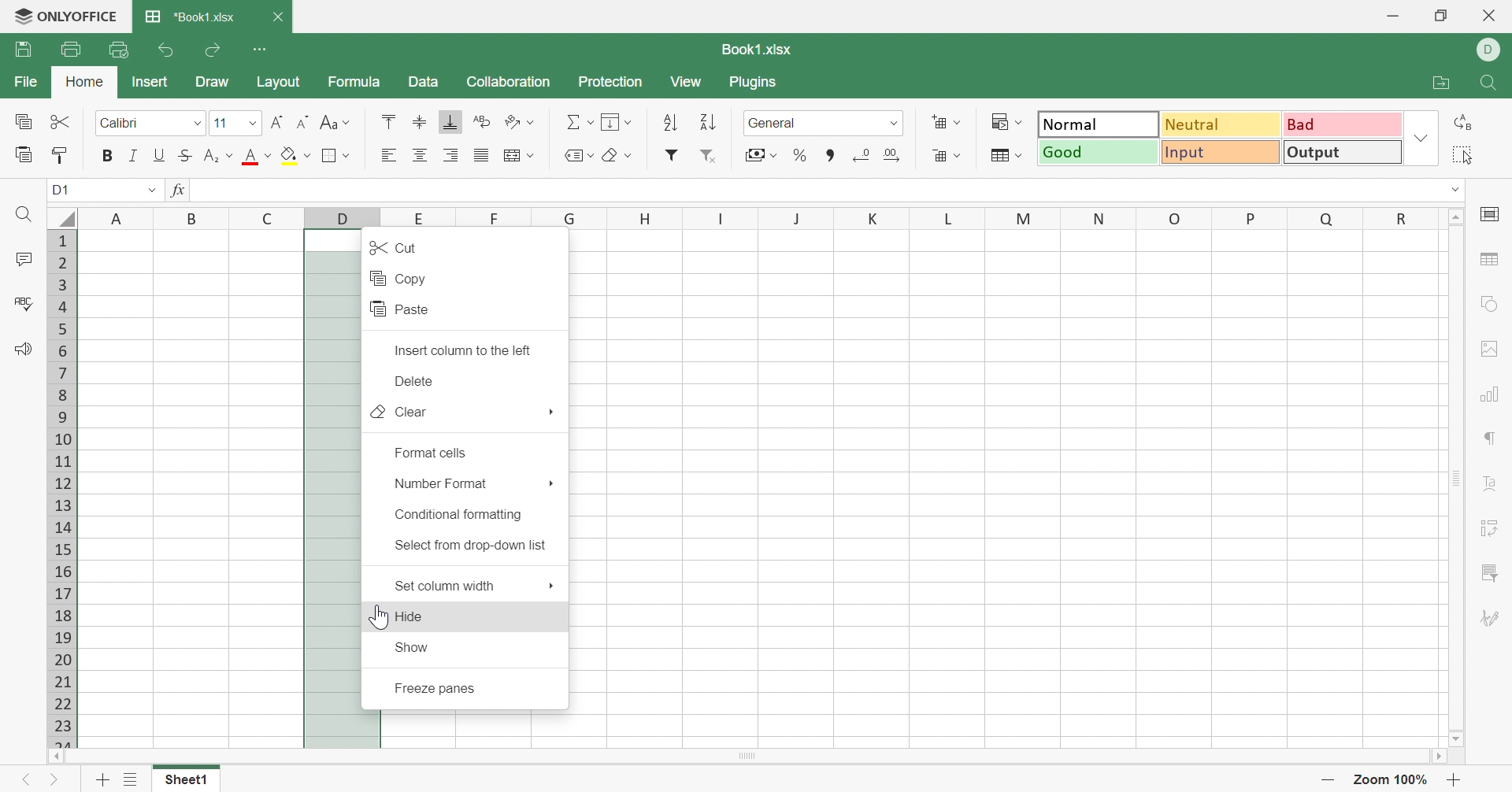 This screenshot has height=792, width=1512. What do you see at coordinates (1453, 190) in the screenshot?
I see `Drop Down` at bounding box center [1453, 190].